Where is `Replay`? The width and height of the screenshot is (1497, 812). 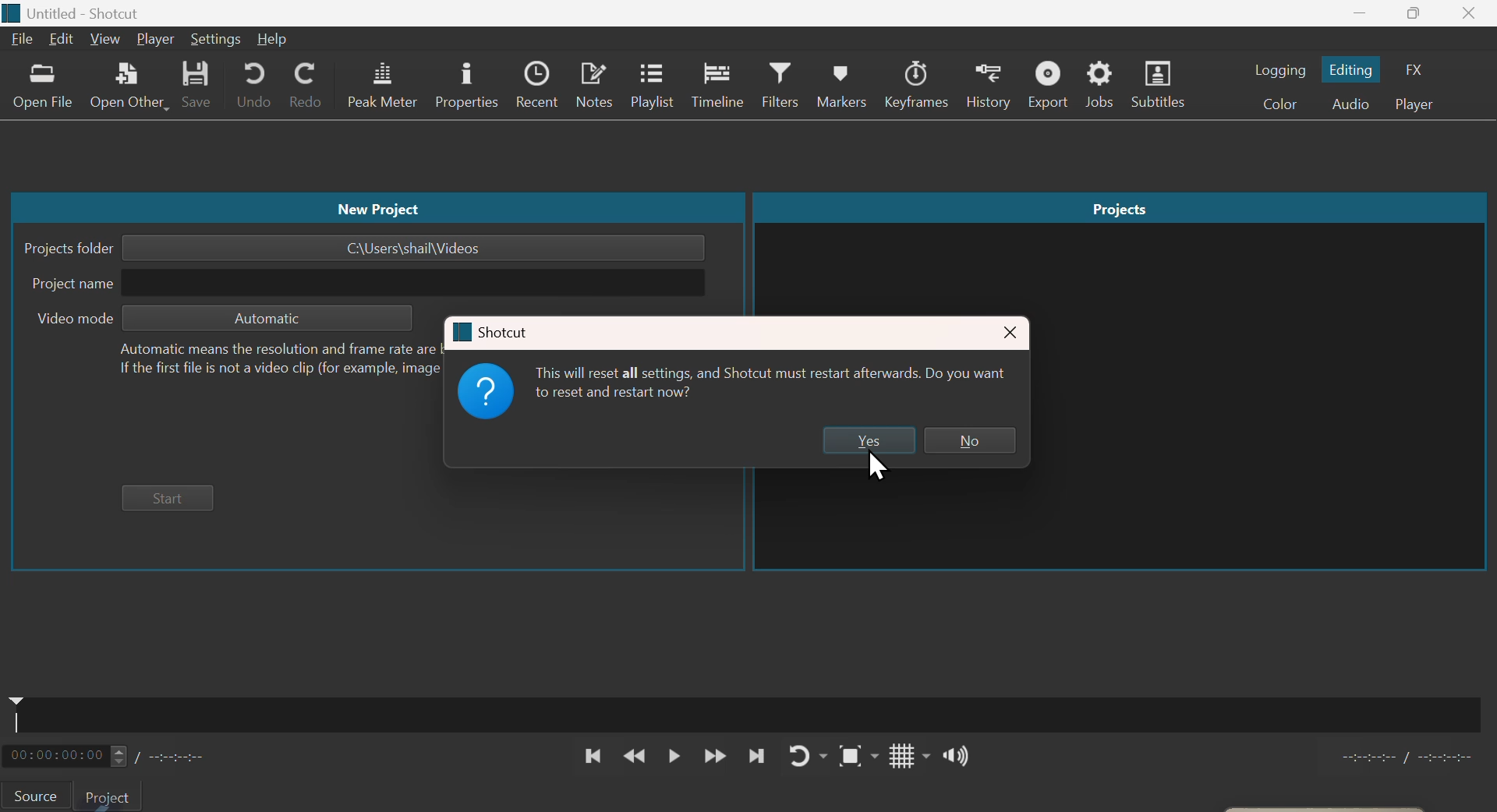 Replay is located at coordinates (804, 755).